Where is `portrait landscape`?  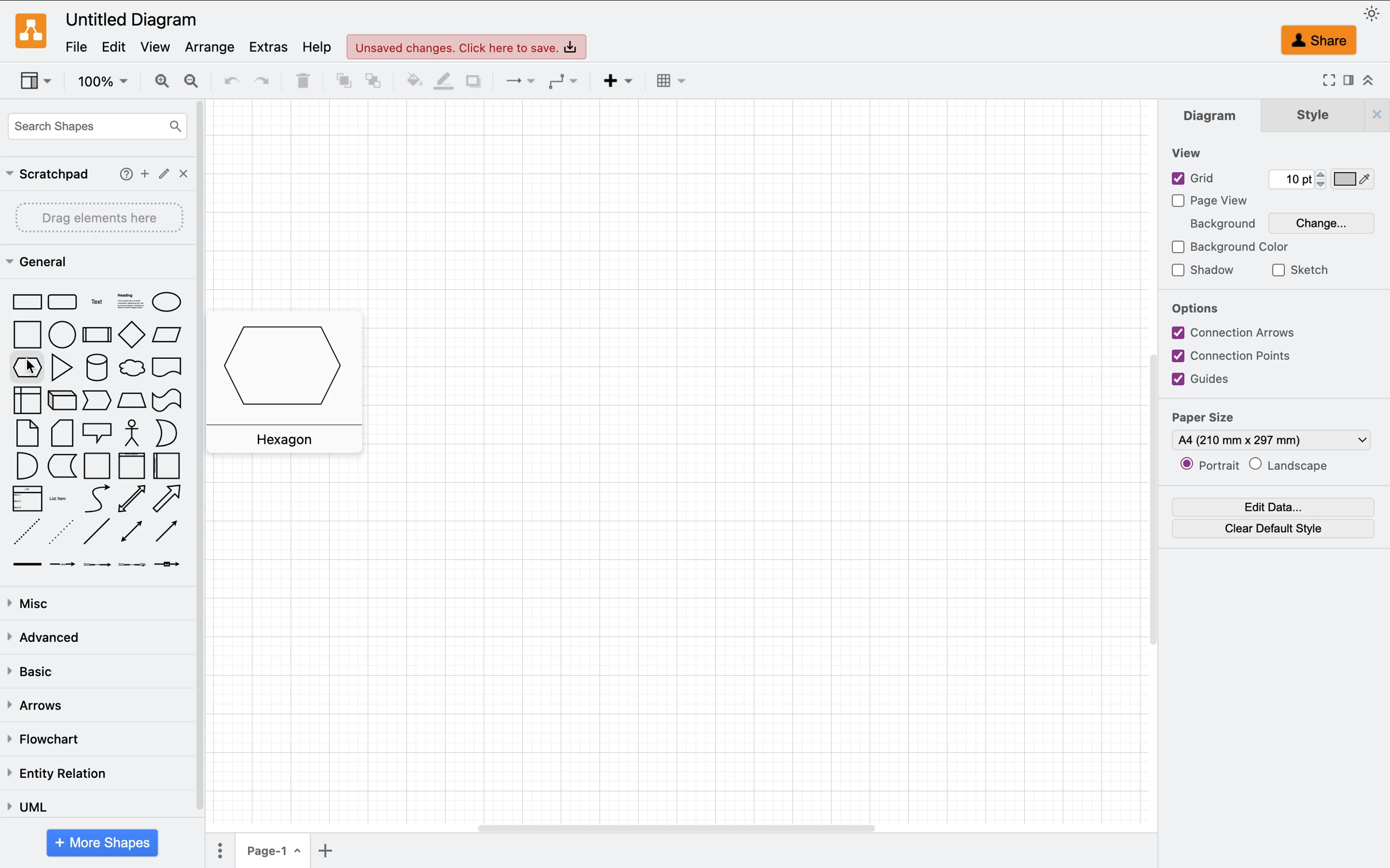 portrait landscape is located at coordinates (1256, 465).